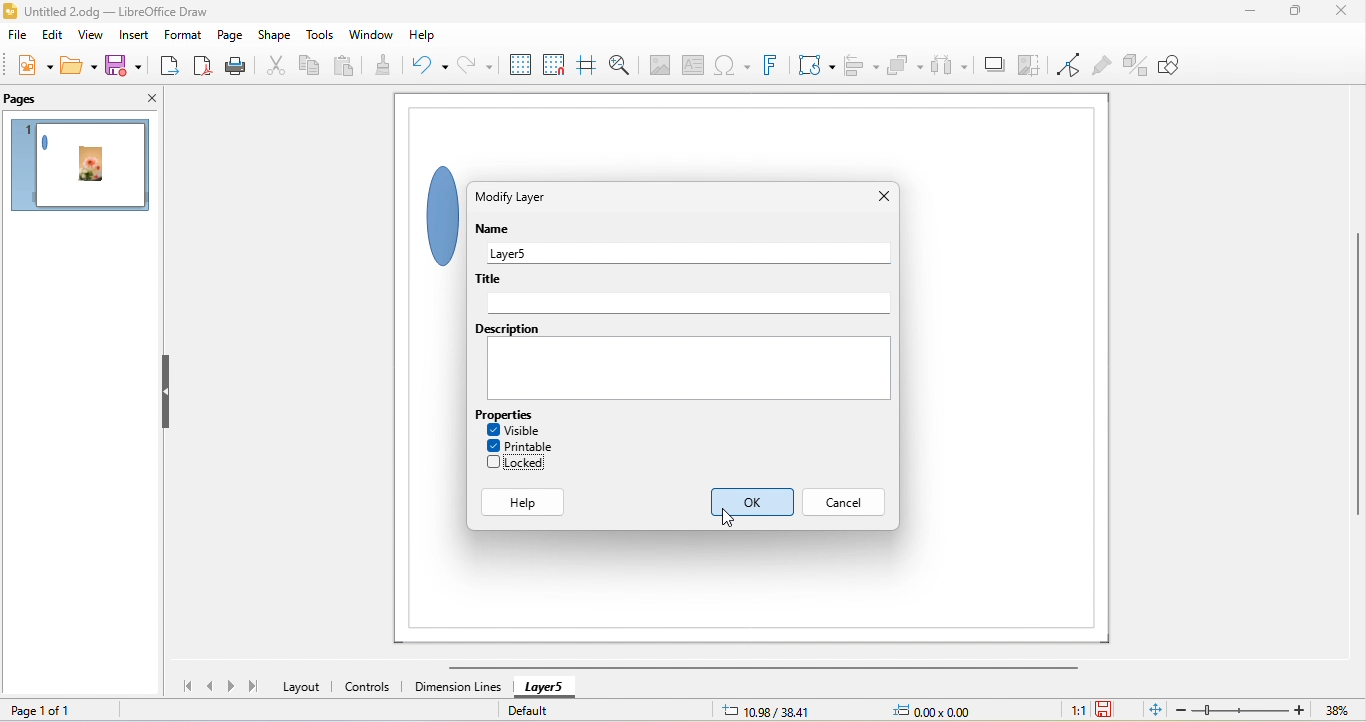 The width and height of the screenshot is (1366, 722). I want to click on printable, so click(521, 446).